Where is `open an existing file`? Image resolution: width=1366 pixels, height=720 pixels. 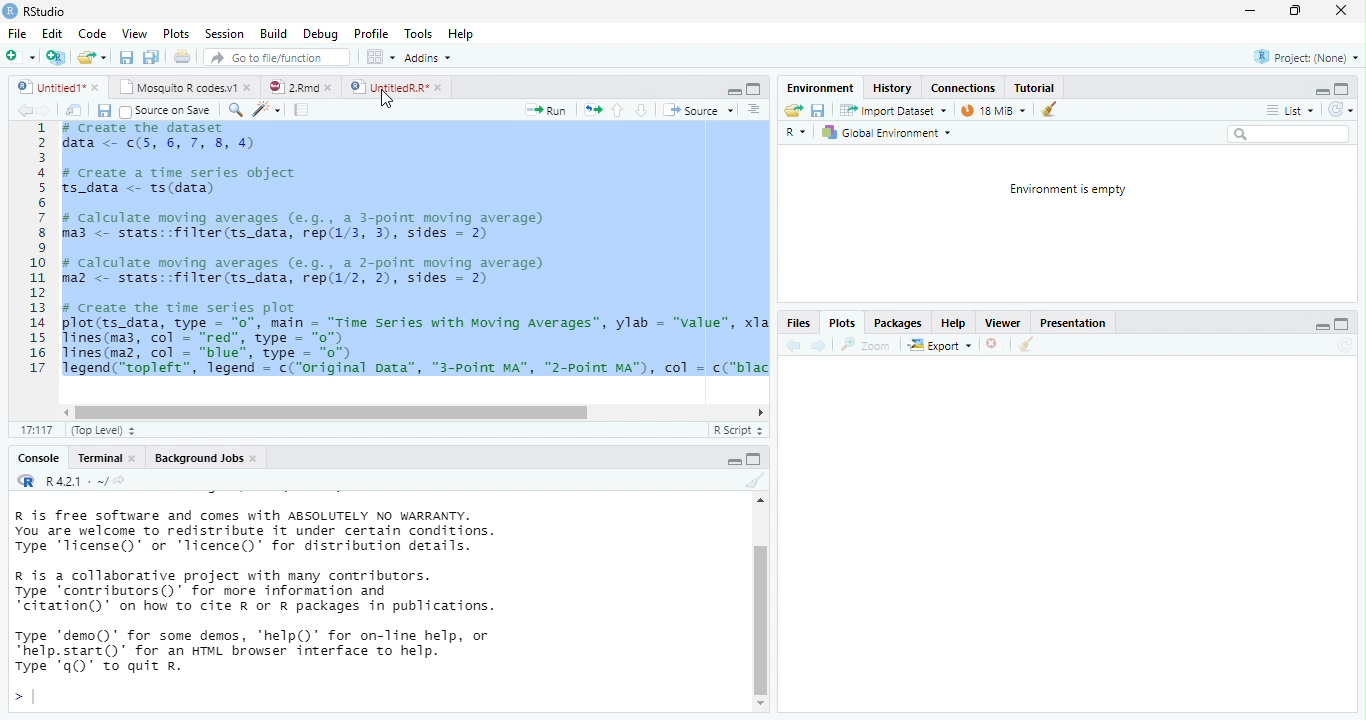 open an existing file is located at coordinates (92, 58).